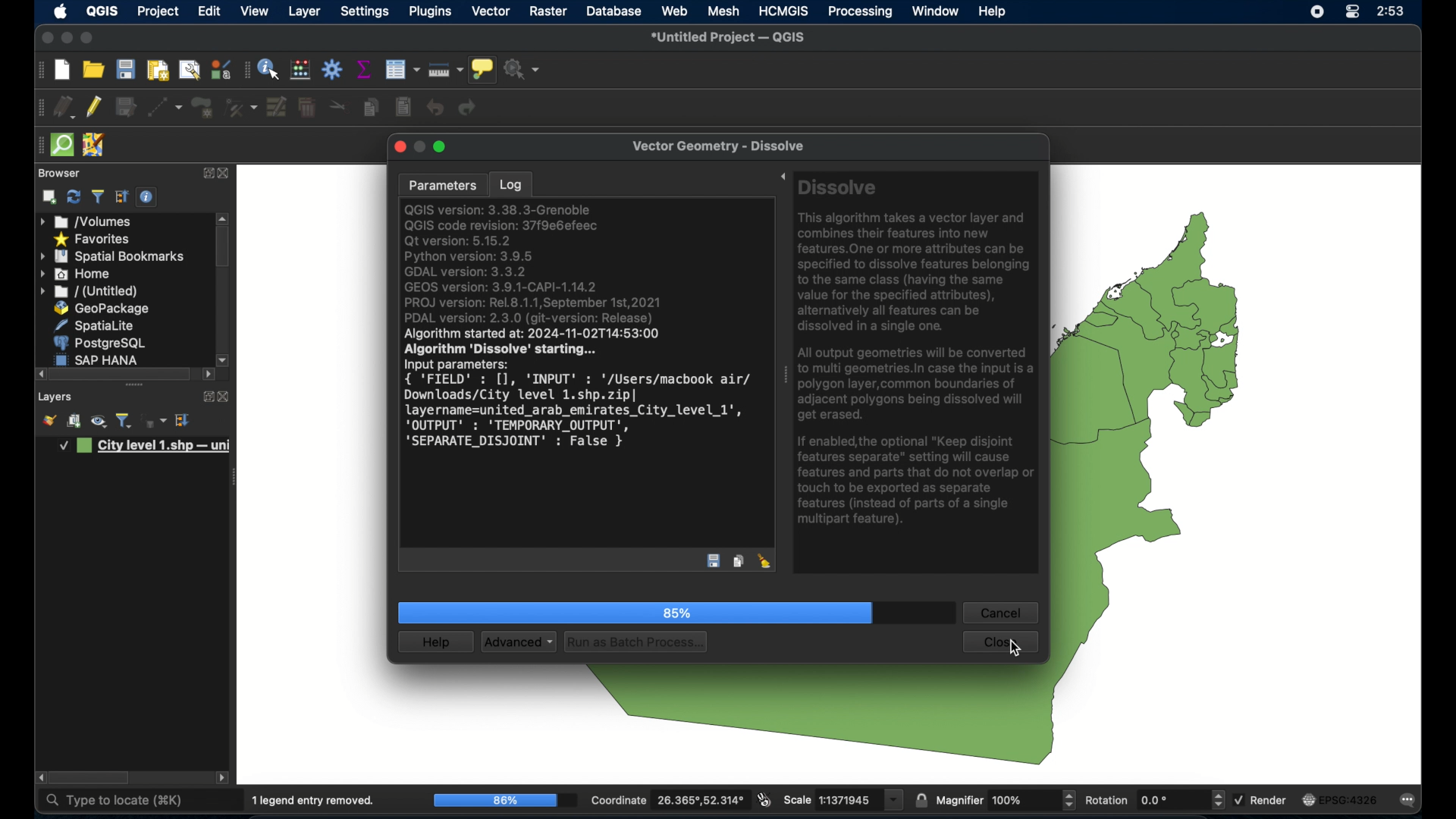 This screenshot has height=819, width=1456. I want to click on QGIS, so click(102, 12).